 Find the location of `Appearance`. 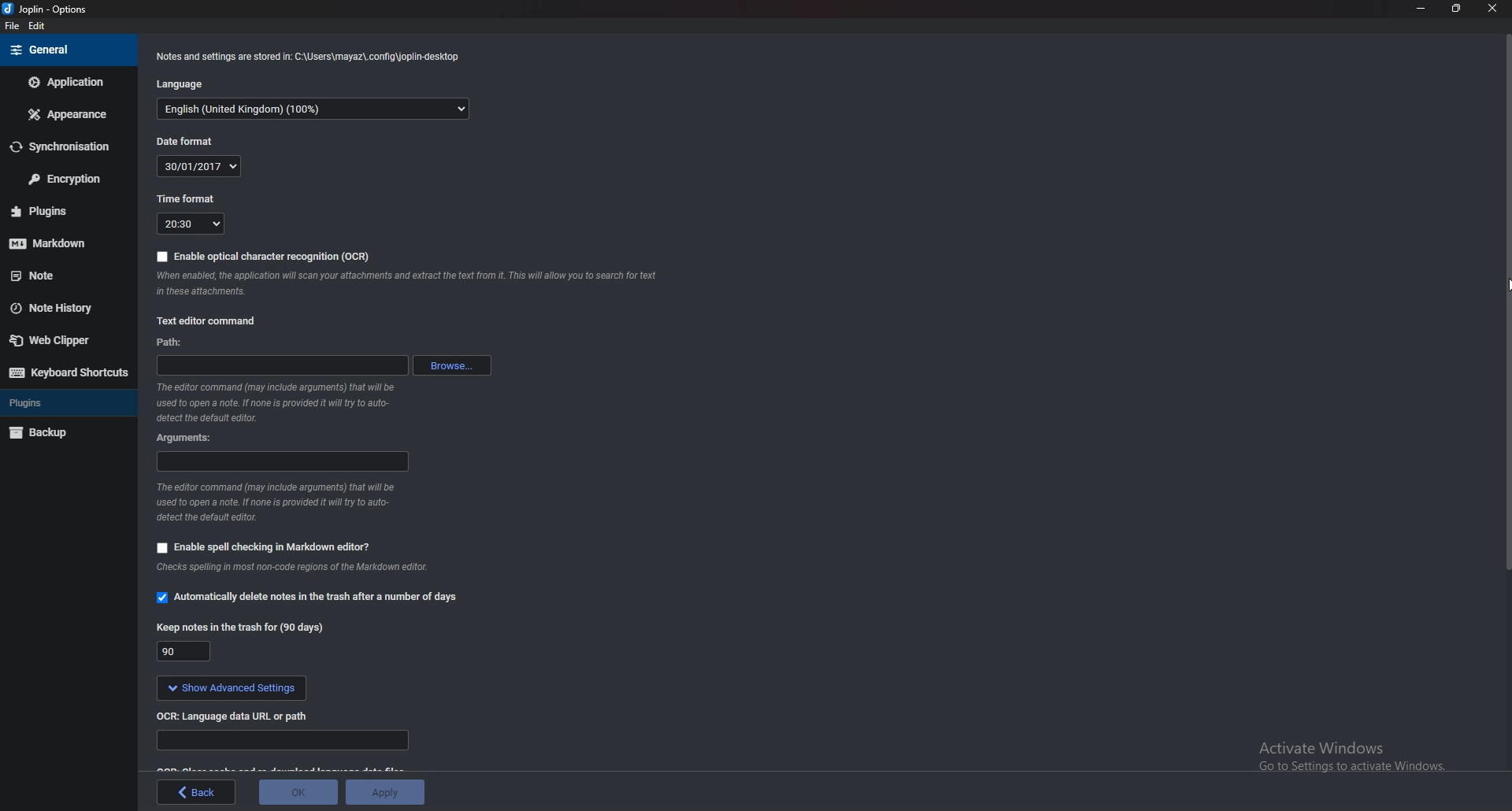

Appearance is located at coordinates (65, 115).